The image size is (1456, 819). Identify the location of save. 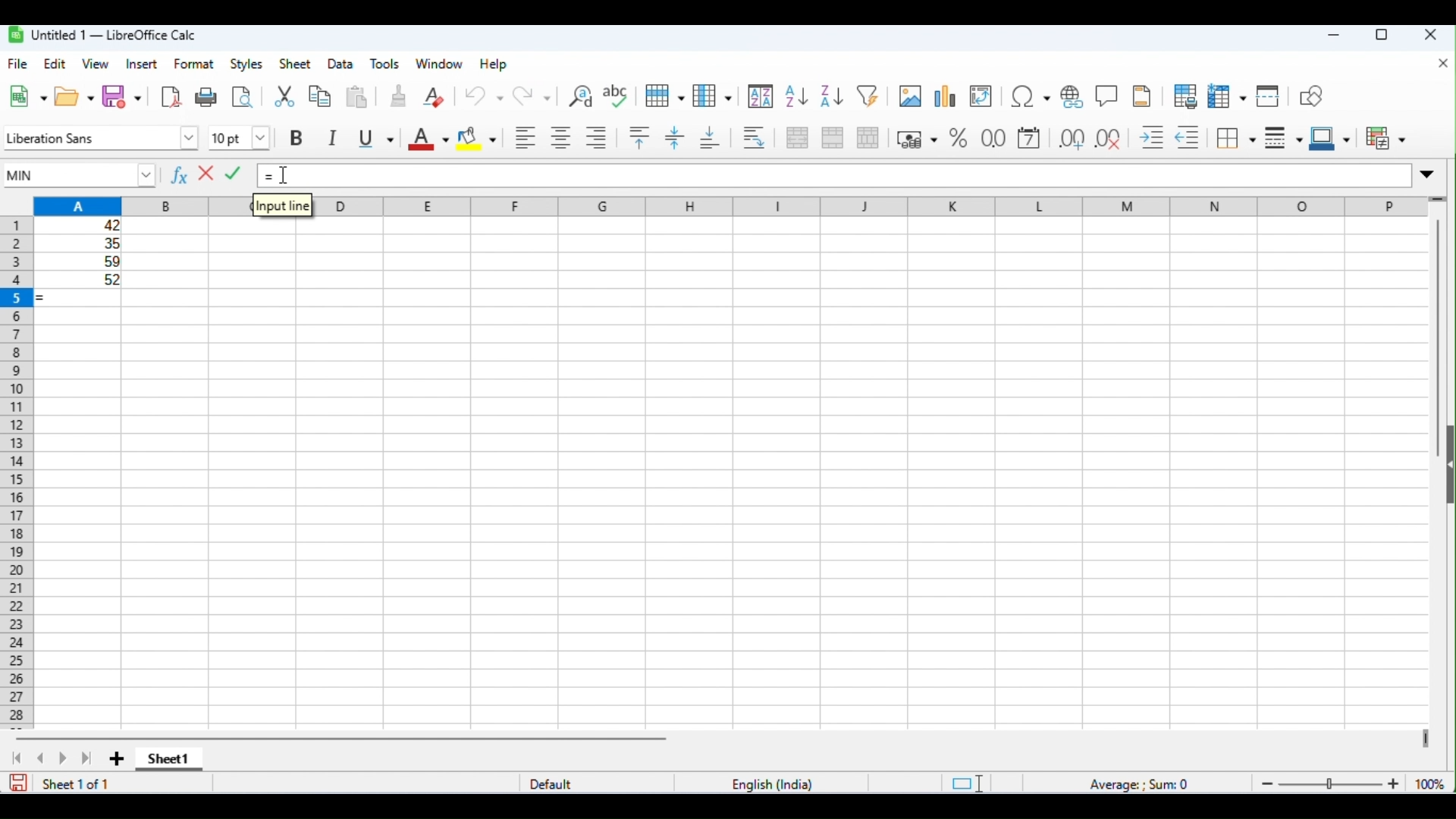
(123, 96).